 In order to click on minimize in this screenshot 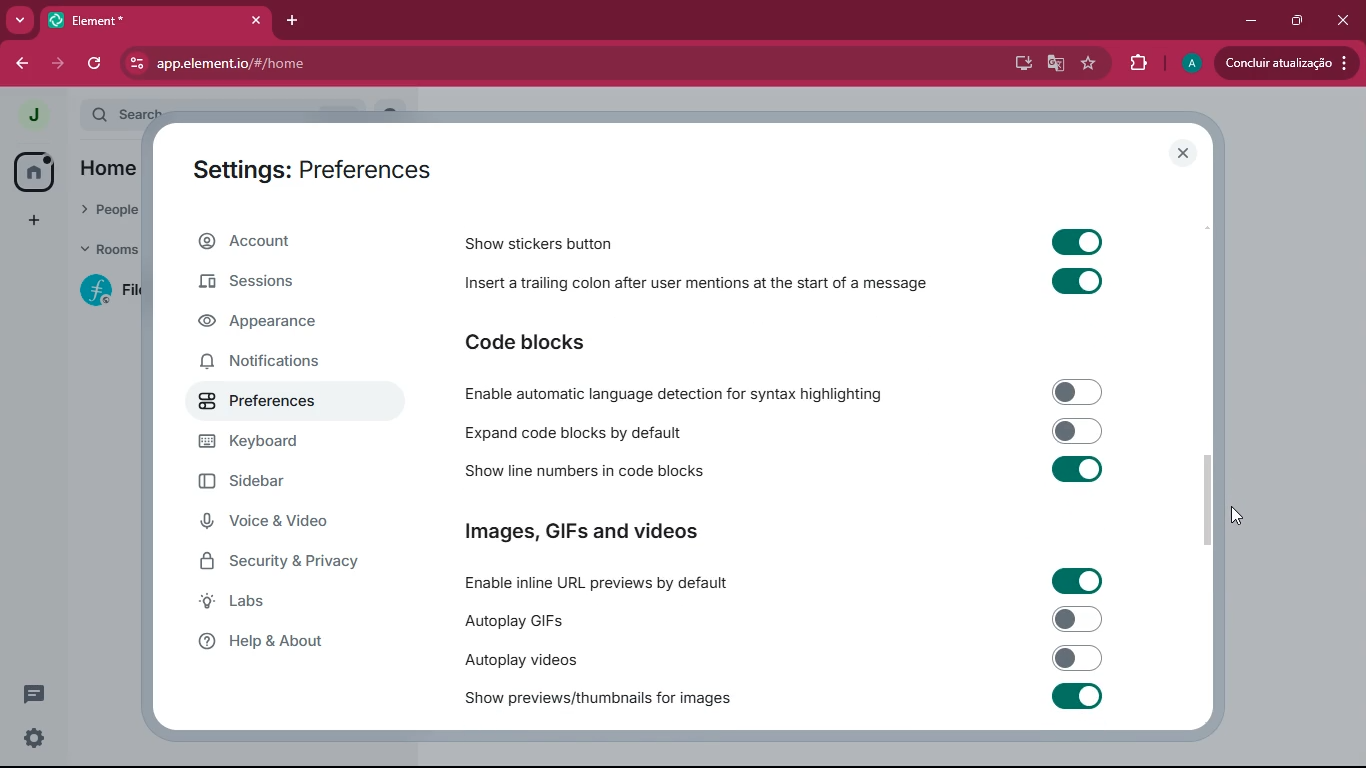, I will do `click(1247, 19)`.